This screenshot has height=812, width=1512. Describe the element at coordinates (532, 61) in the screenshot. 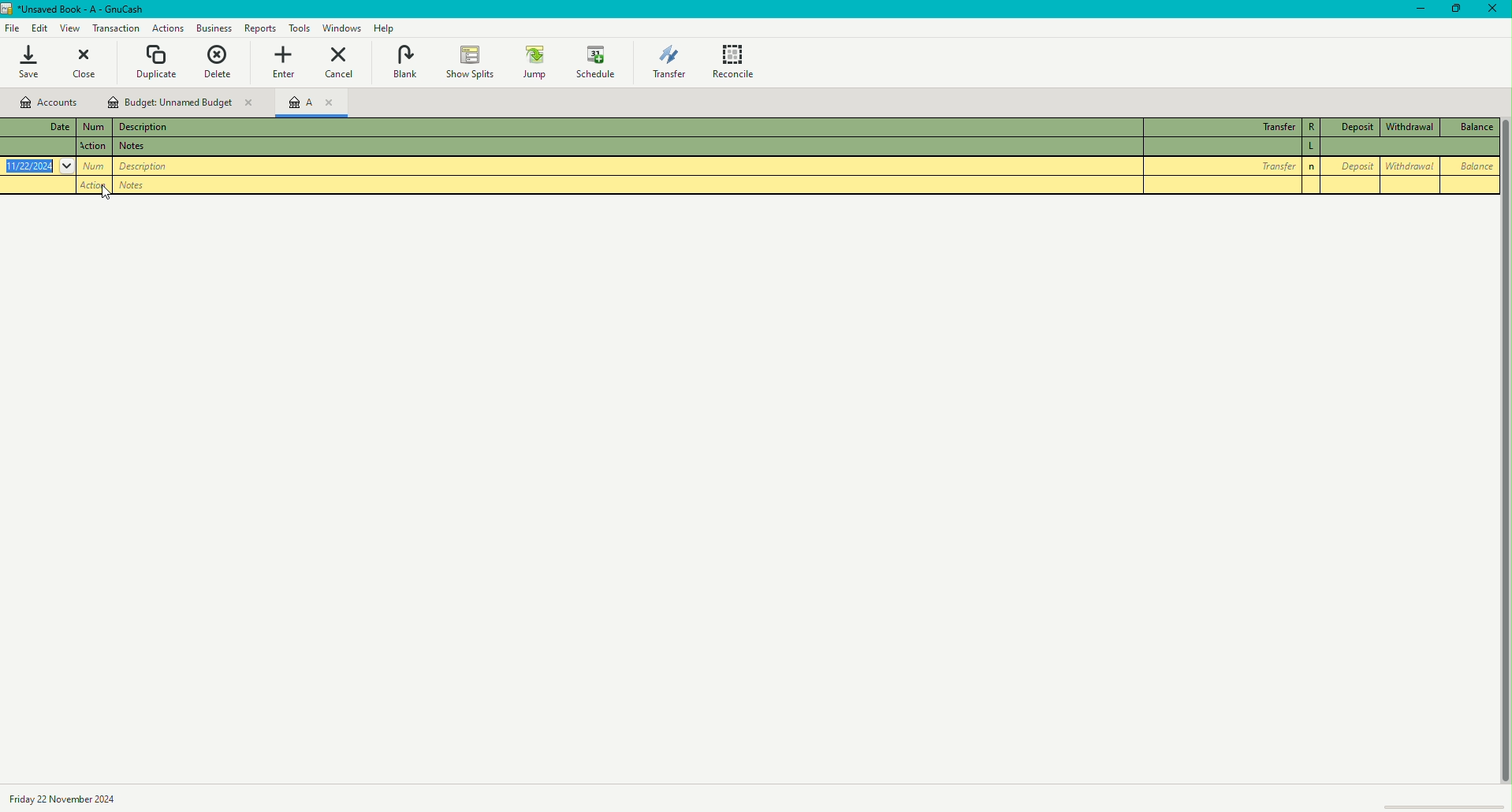

I see `Jump` at that location.